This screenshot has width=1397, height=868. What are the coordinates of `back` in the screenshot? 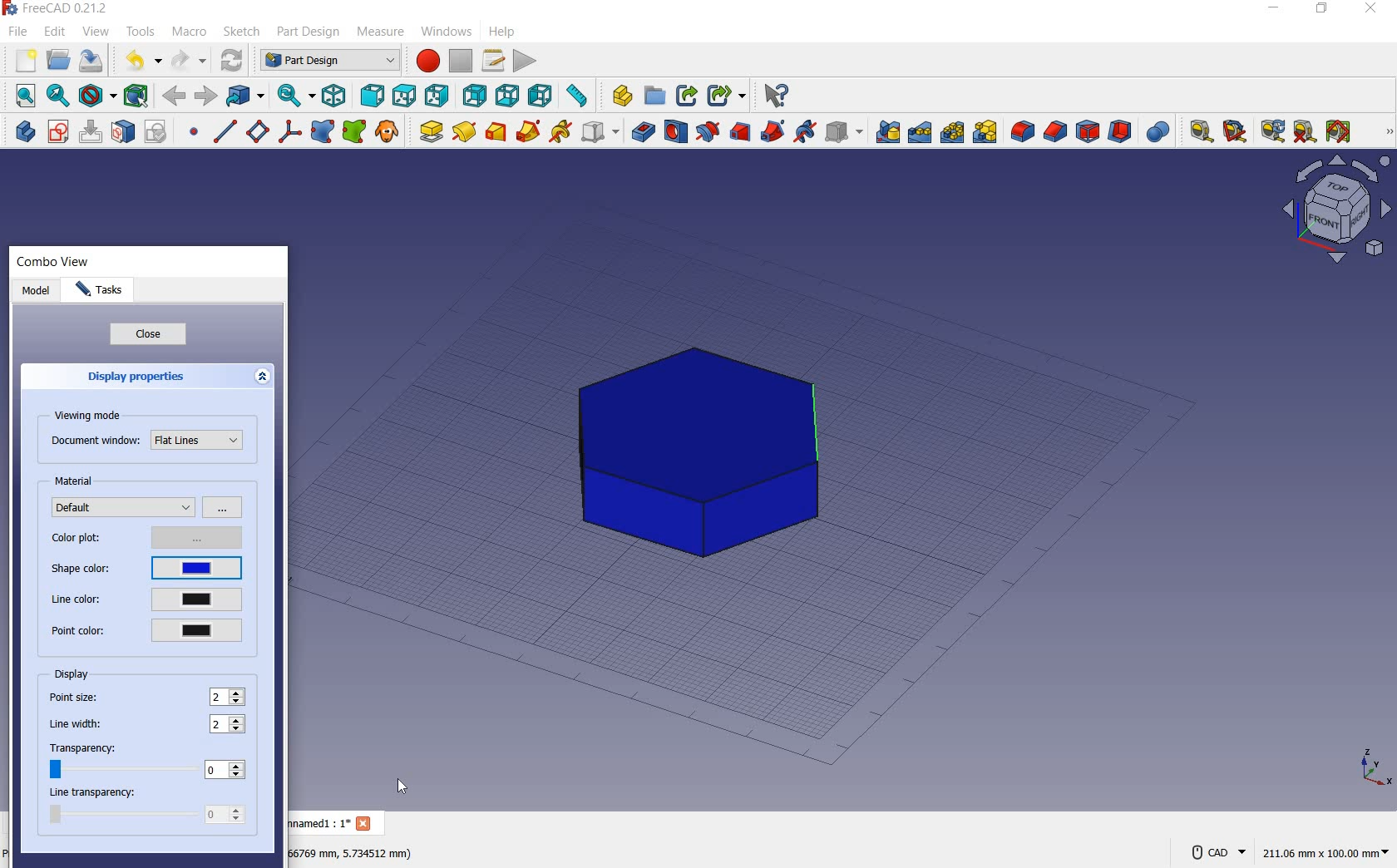 It's located at (175, 96).